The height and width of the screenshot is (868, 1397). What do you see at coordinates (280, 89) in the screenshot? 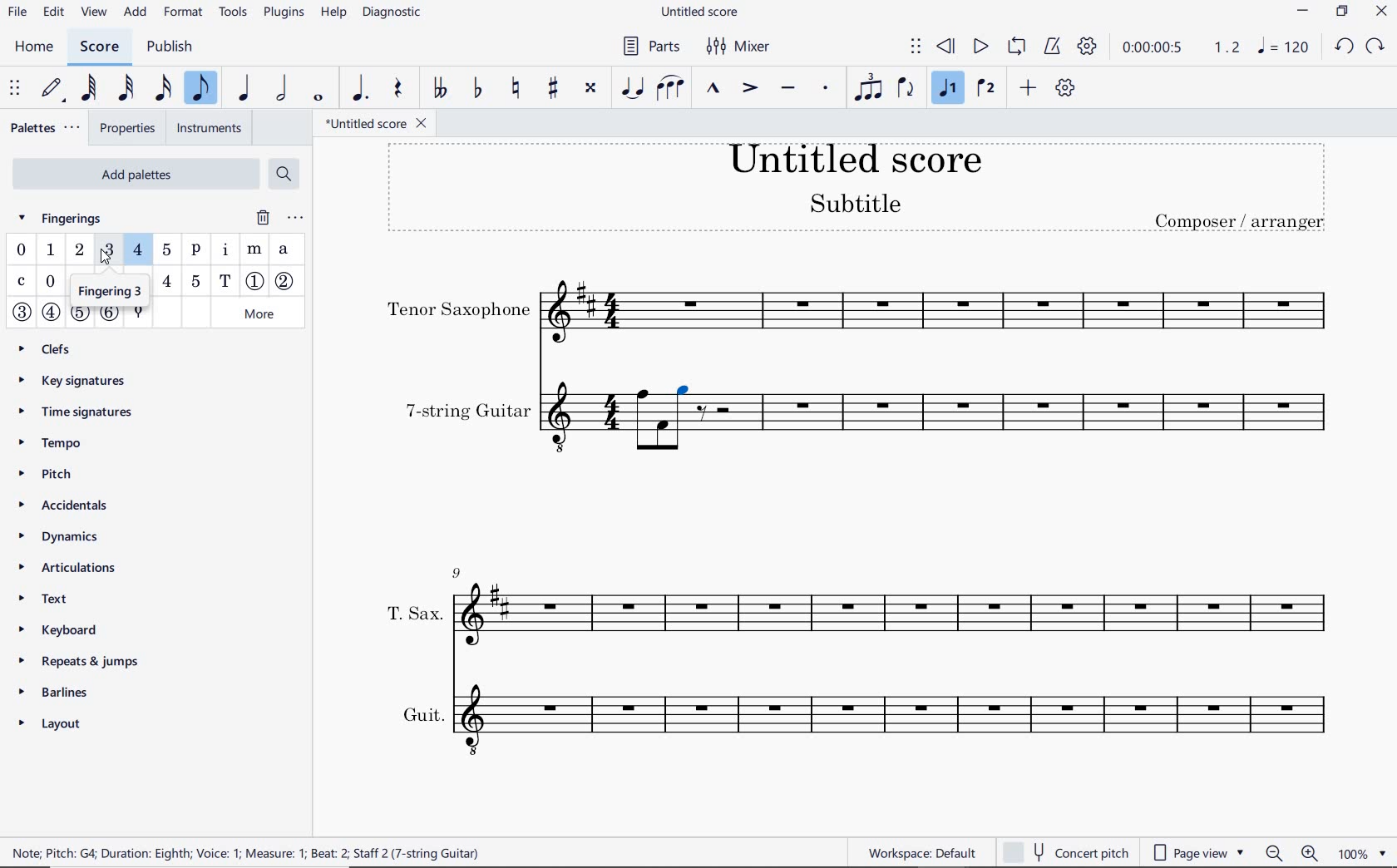
I see `HALF NOTE` at bounding box center [280, 89].